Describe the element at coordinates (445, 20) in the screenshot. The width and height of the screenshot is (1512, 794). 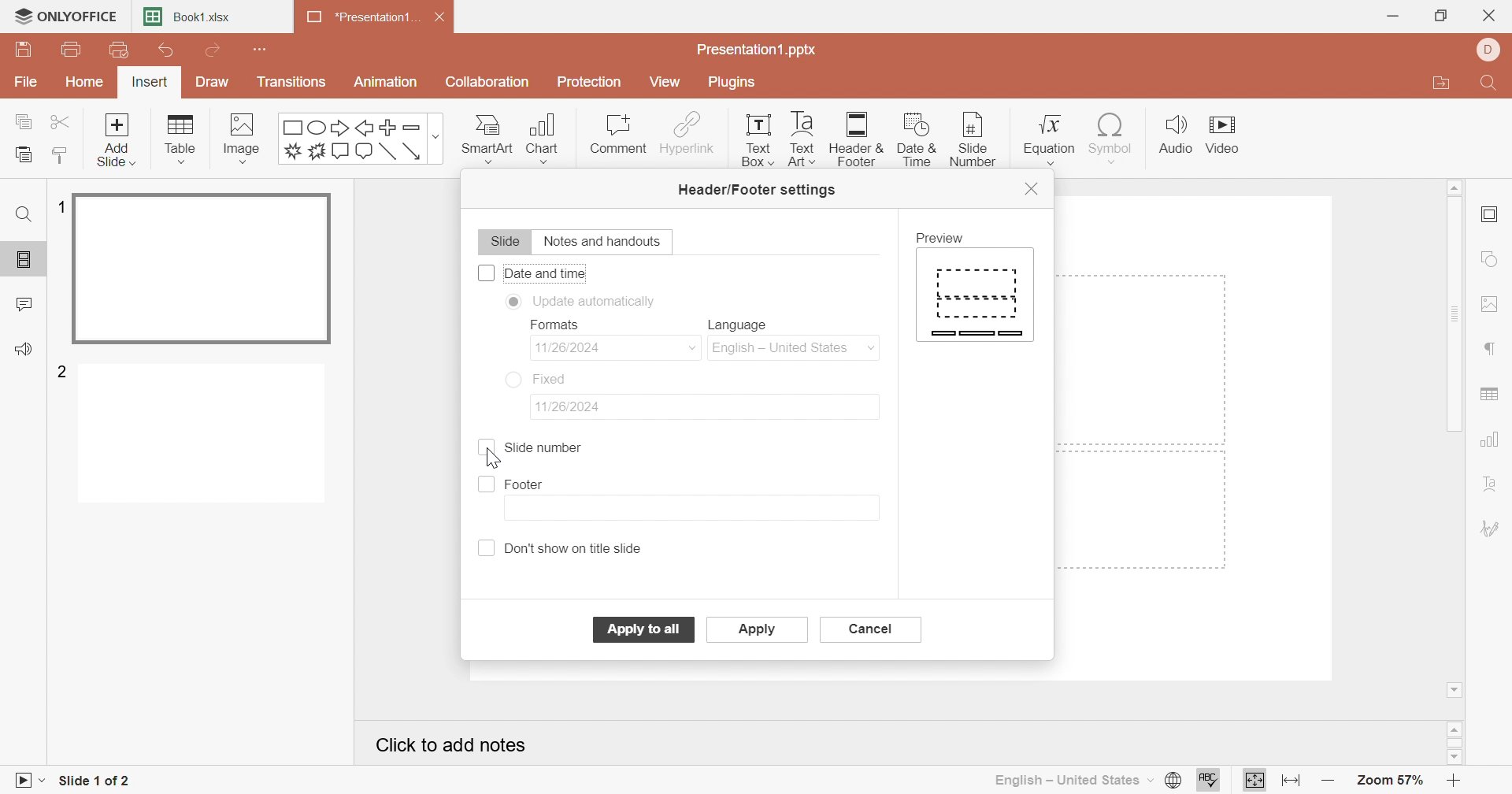
I see `Close` at that location.